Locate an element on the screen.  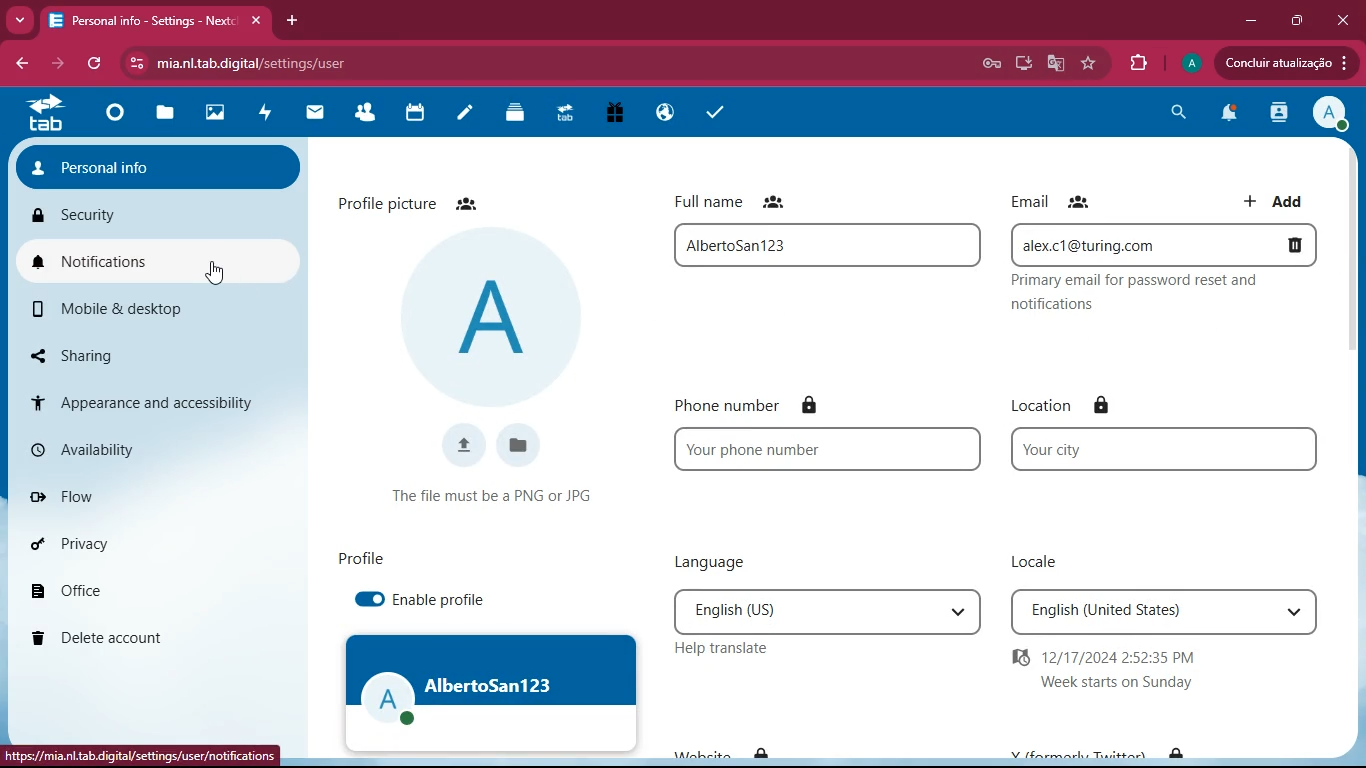
full name is located at coordinates (822, 245).